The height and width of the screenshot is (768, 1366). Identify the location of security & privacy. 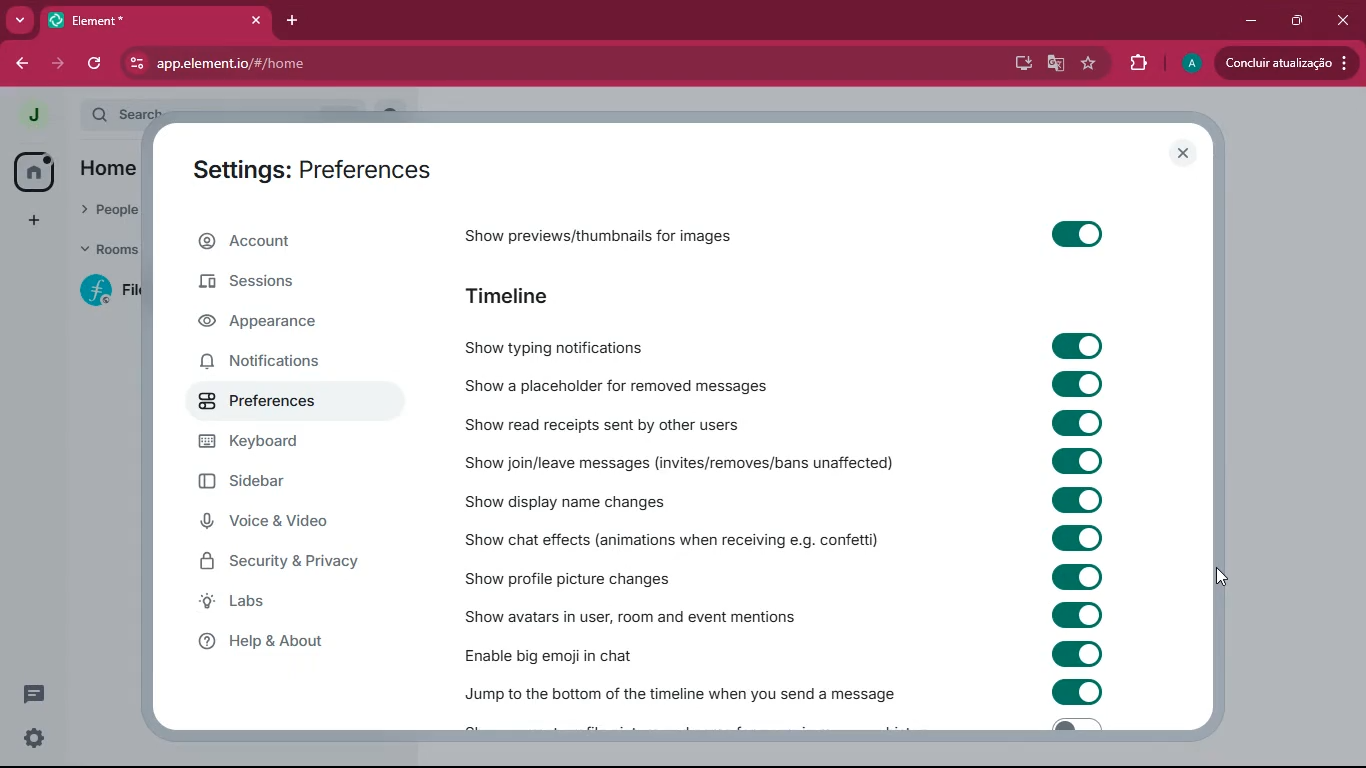
(291, 563).